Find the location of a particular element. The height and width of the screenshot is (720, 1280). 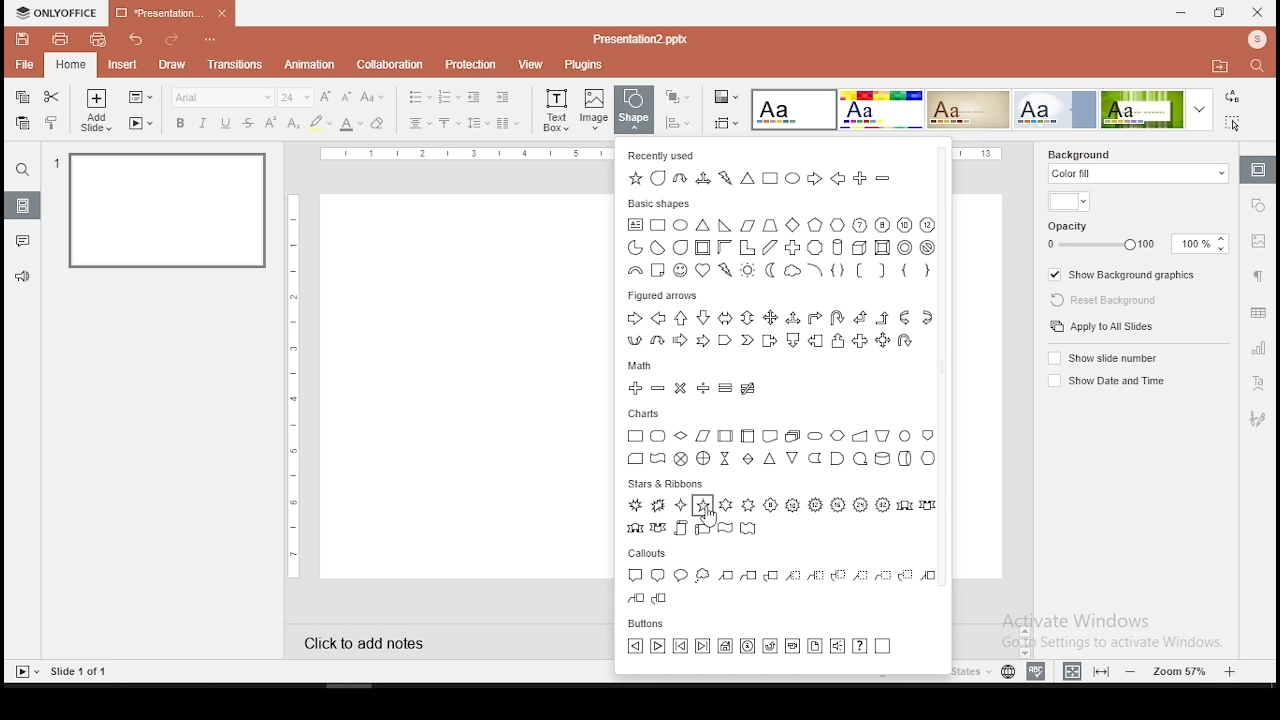

profile is located at coordinates (1255, 41).